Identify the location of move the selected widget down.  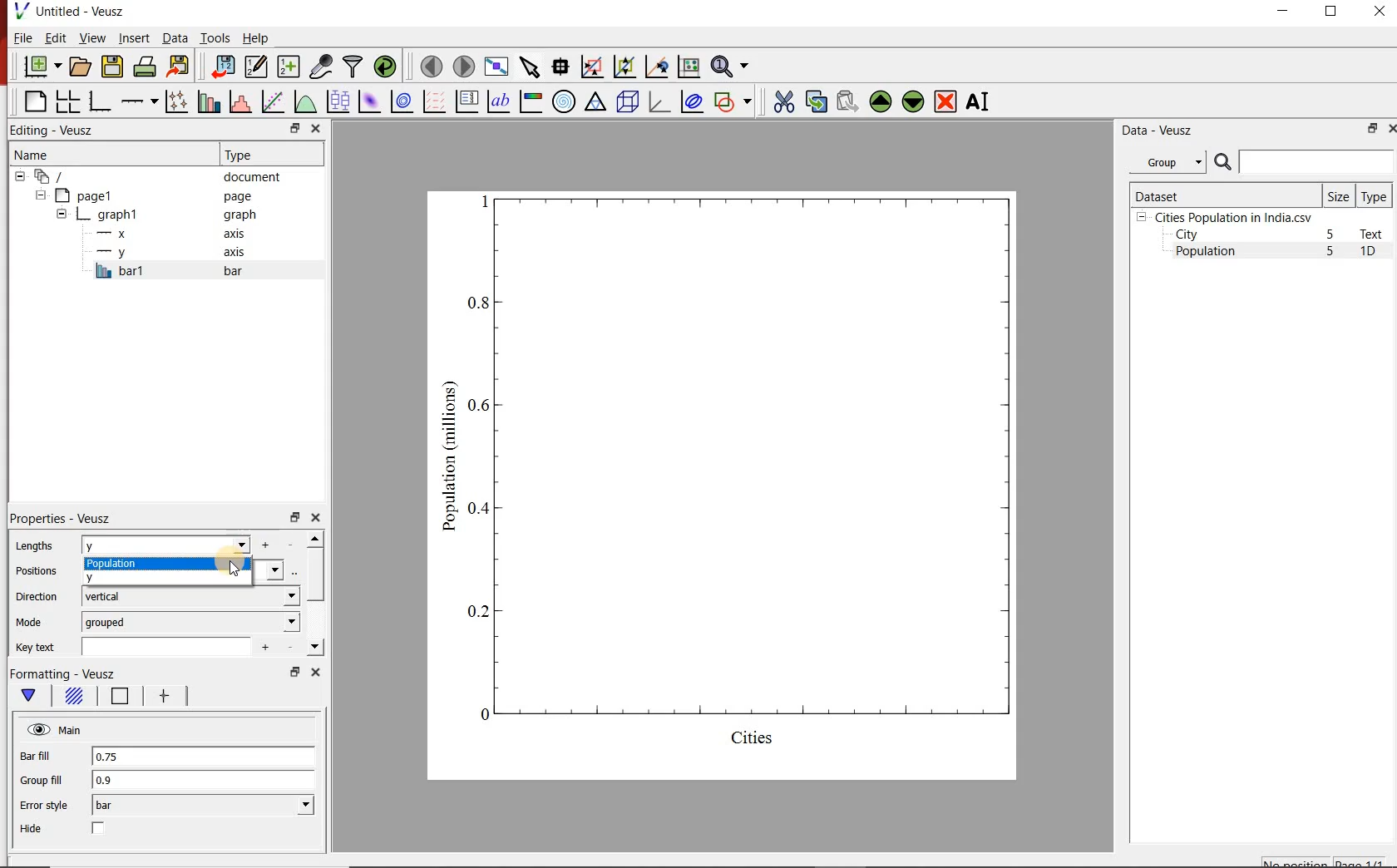
(913, 101).